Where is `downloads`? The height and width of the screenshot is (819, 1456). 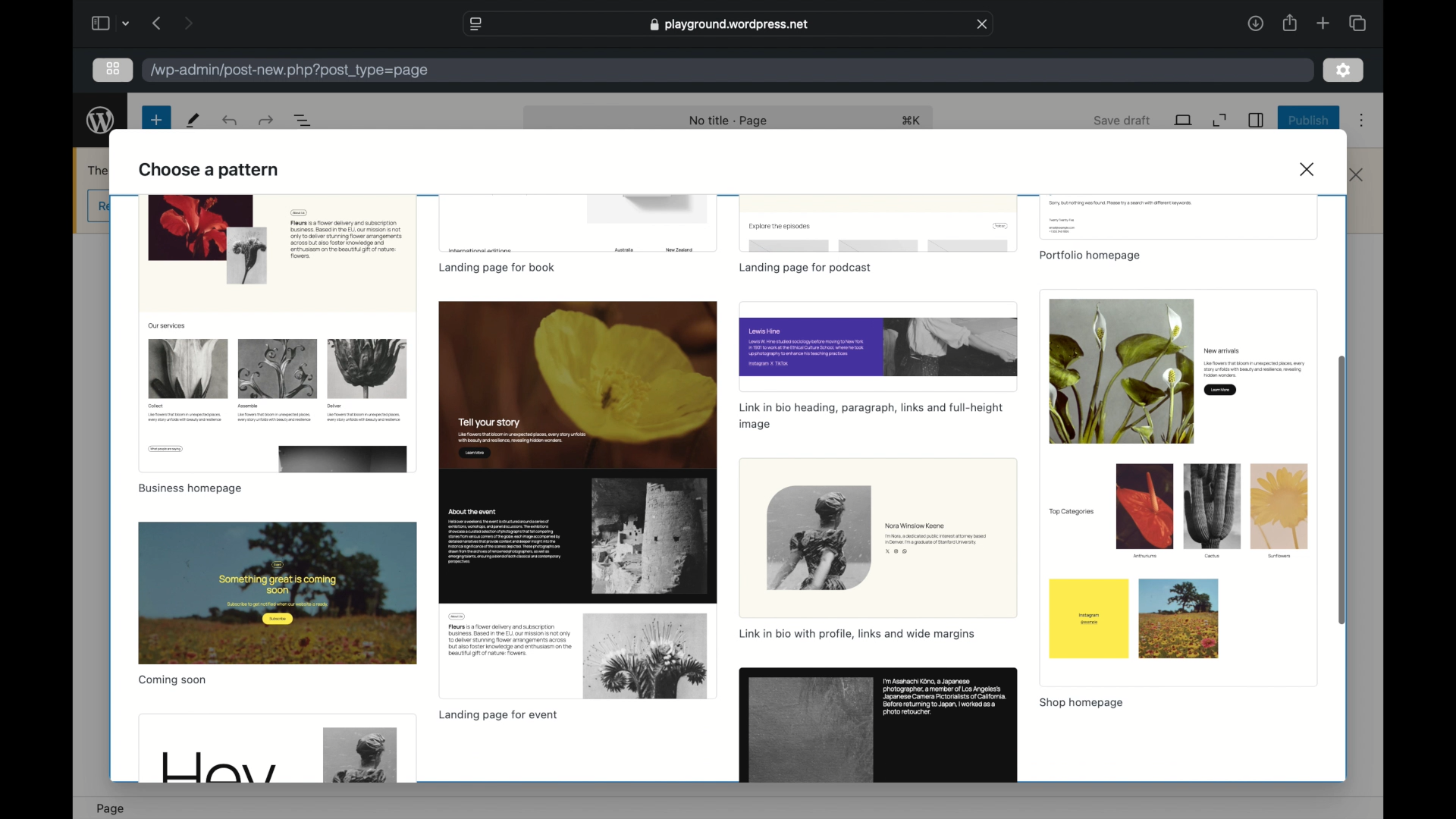
downloads is located at coordinates (1255, 23).